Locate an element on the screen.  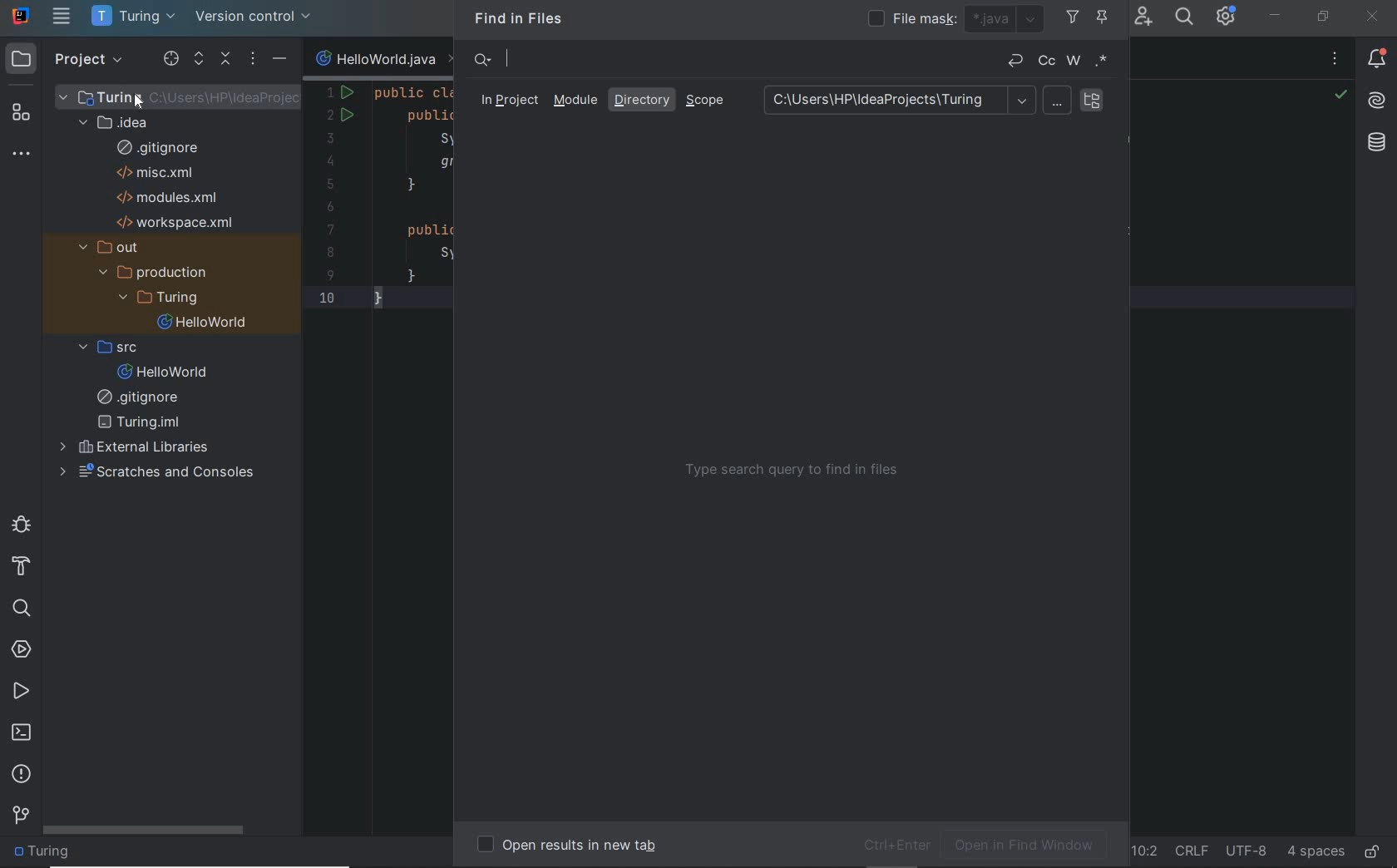
RESTORE DOWN is located at coordinates (1324, 16).